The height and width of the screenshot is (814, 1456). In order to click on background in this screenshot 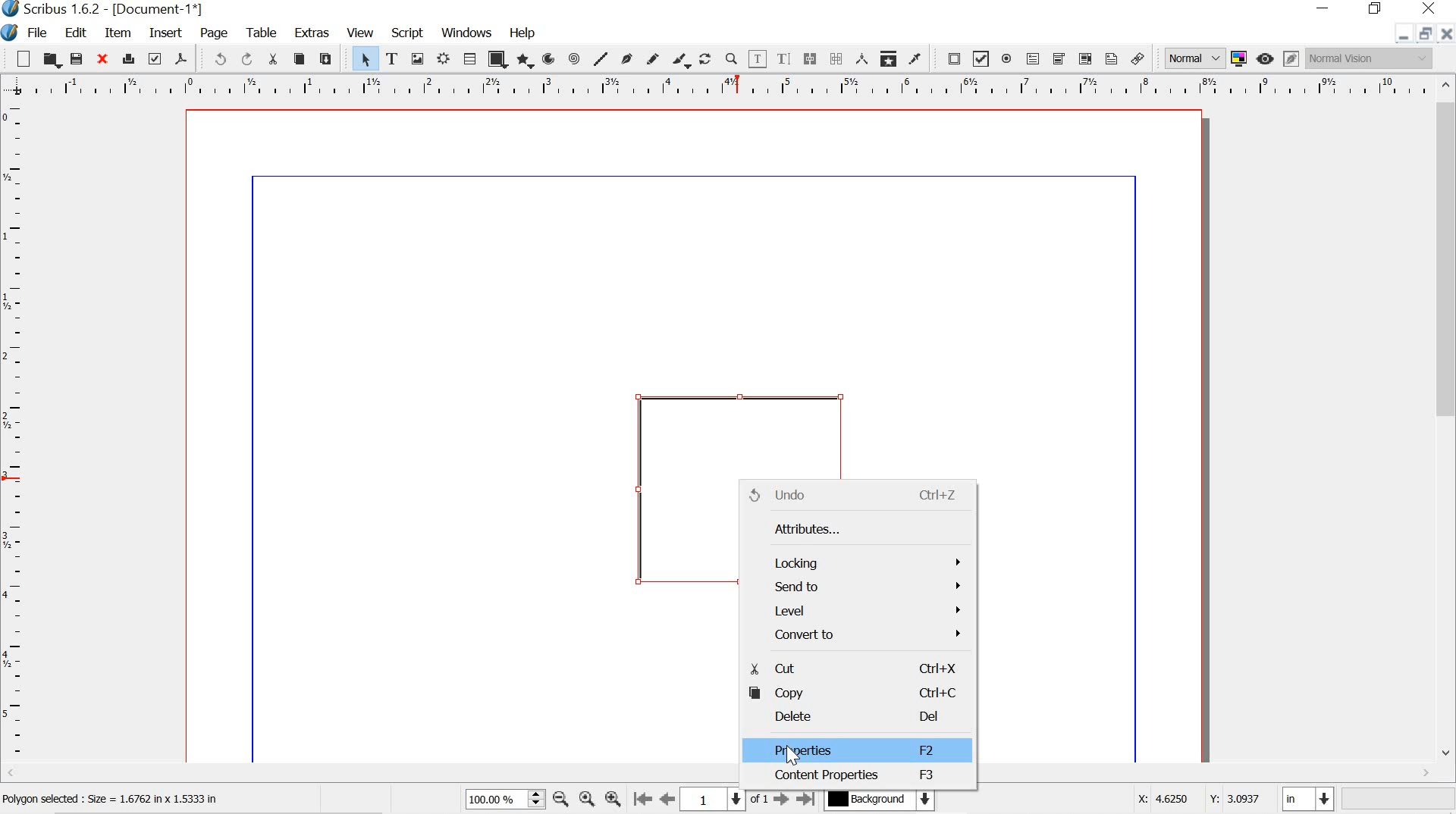, I will do `click(887, 800)`.